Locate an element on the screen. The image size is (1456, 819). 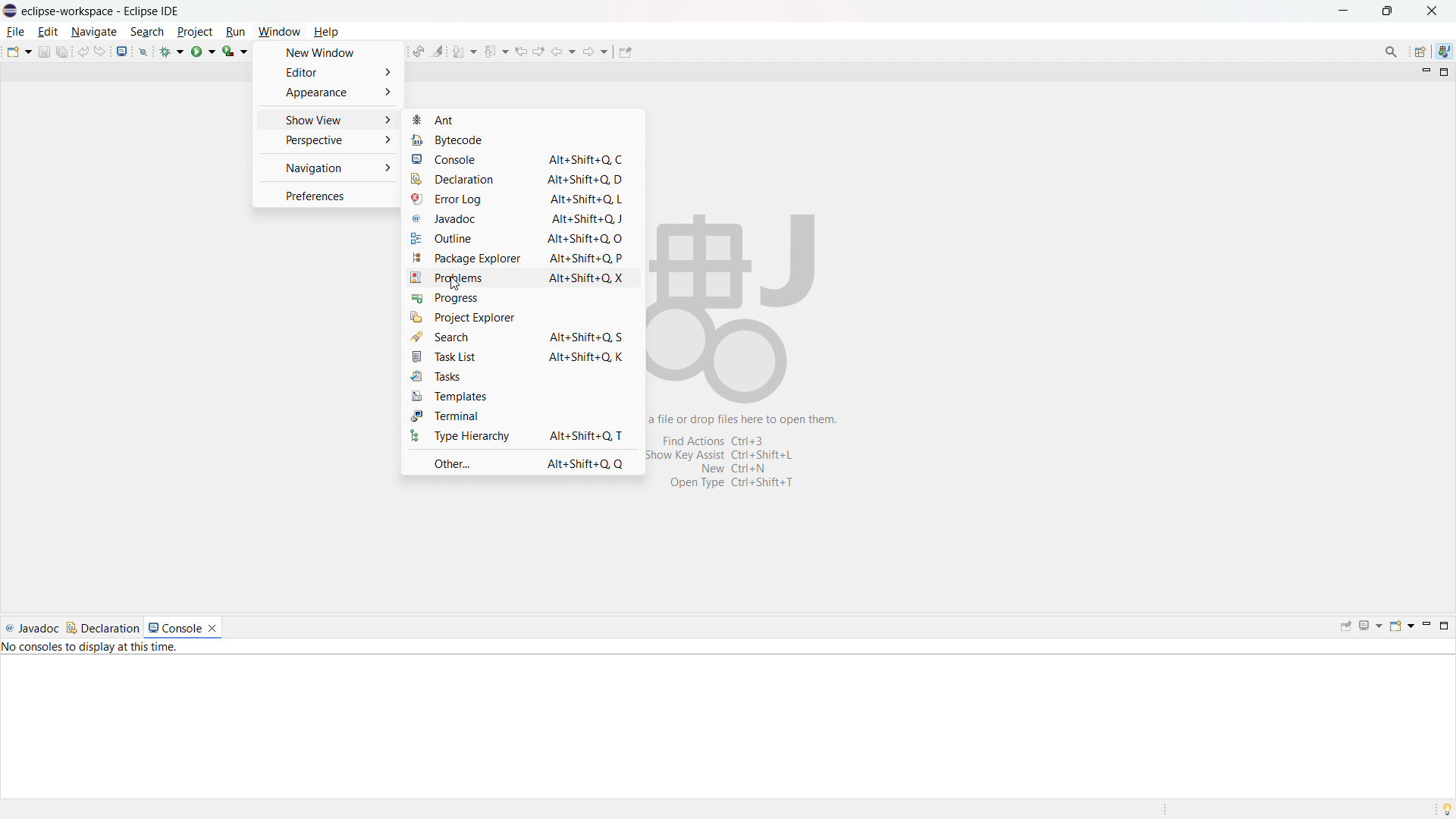
redo is located at coordinates (99, 50).